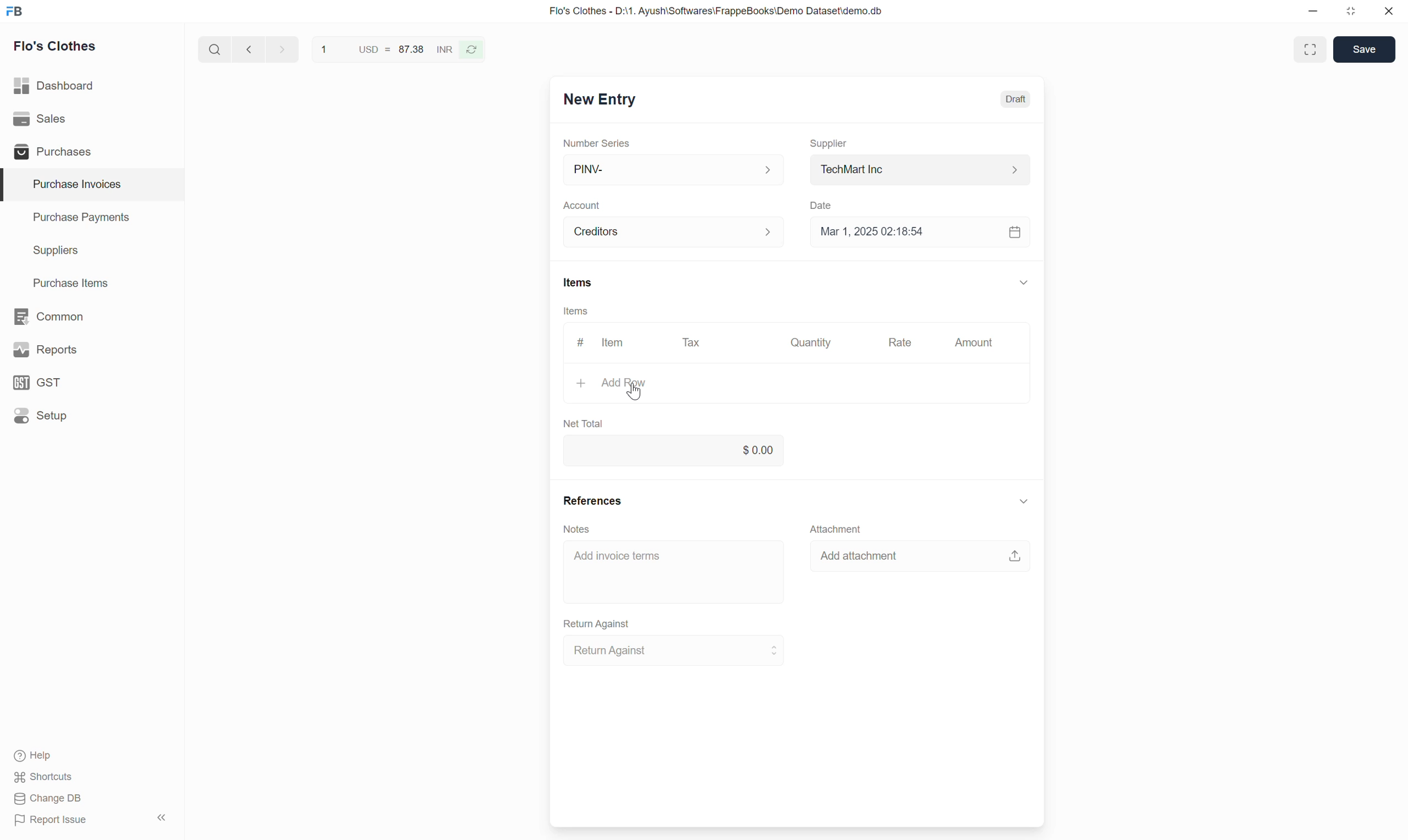 This screenshot has height=840, width=1408. Describe the element at coordinates (161, 817) in the screenshot. I see `Collapse` at that location.